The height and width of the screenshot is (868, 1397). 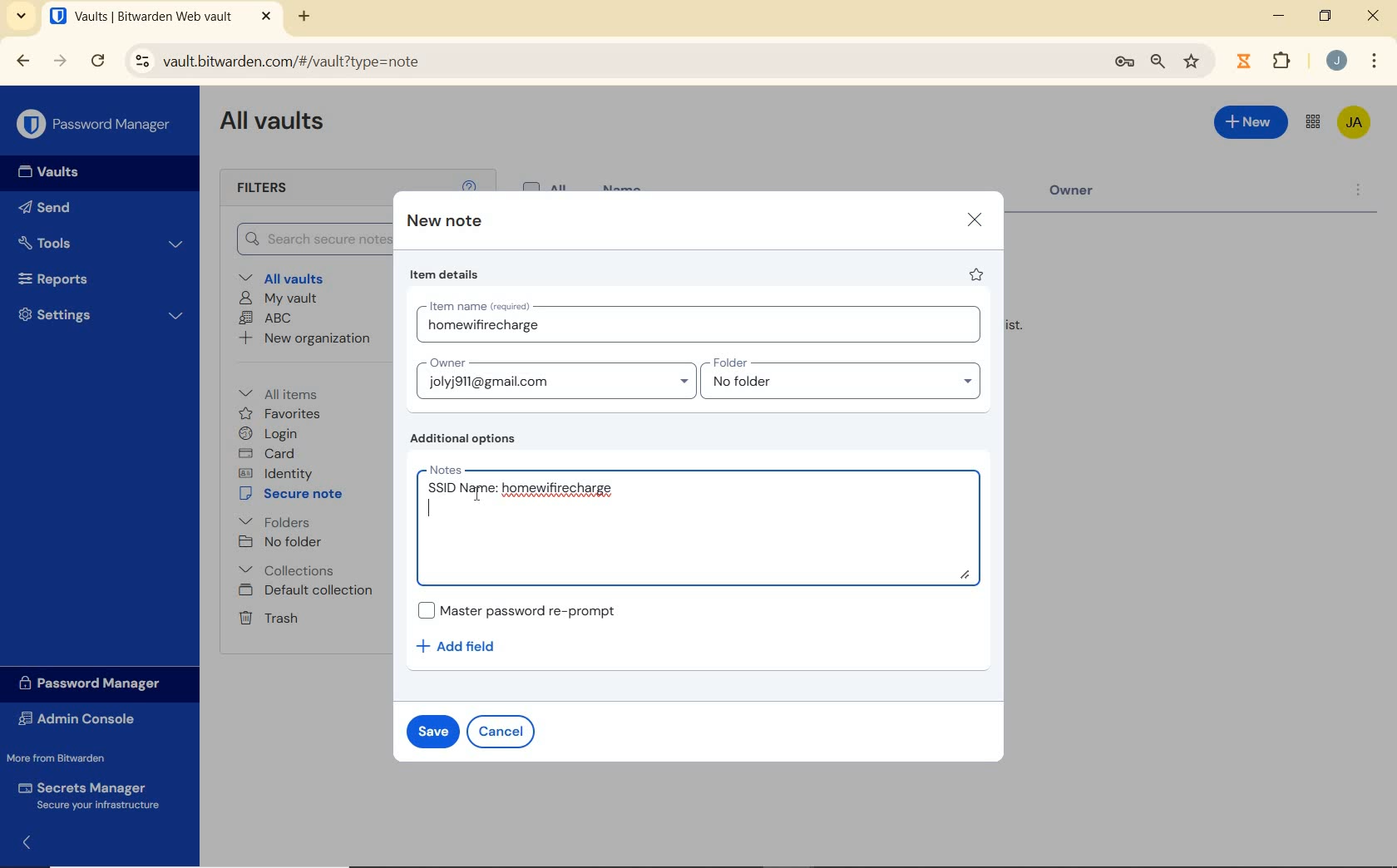 What do you see at coordinates (269, 453) in the screenshot?
I see `card` at bounding box center [269, 453].